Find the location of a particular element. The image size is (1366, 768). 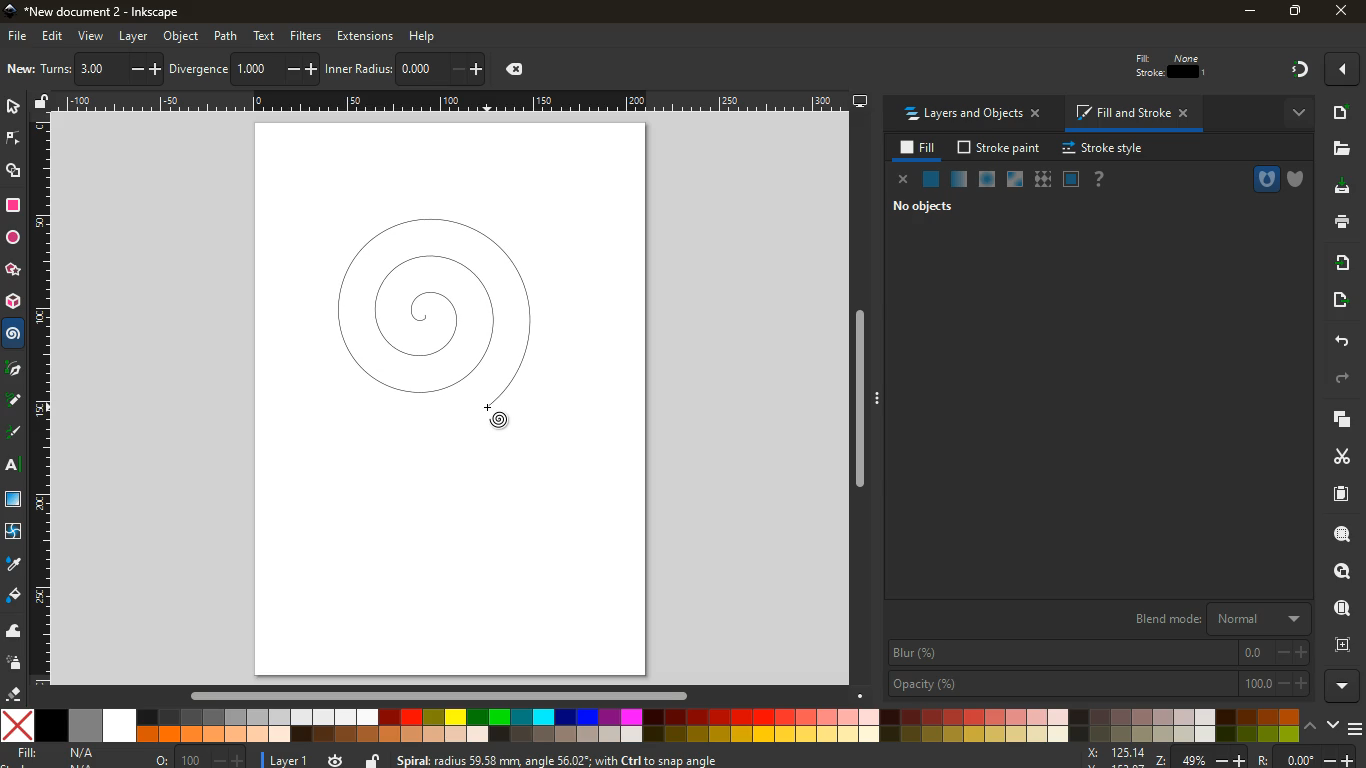

fill is located at coordinates (919, 148).